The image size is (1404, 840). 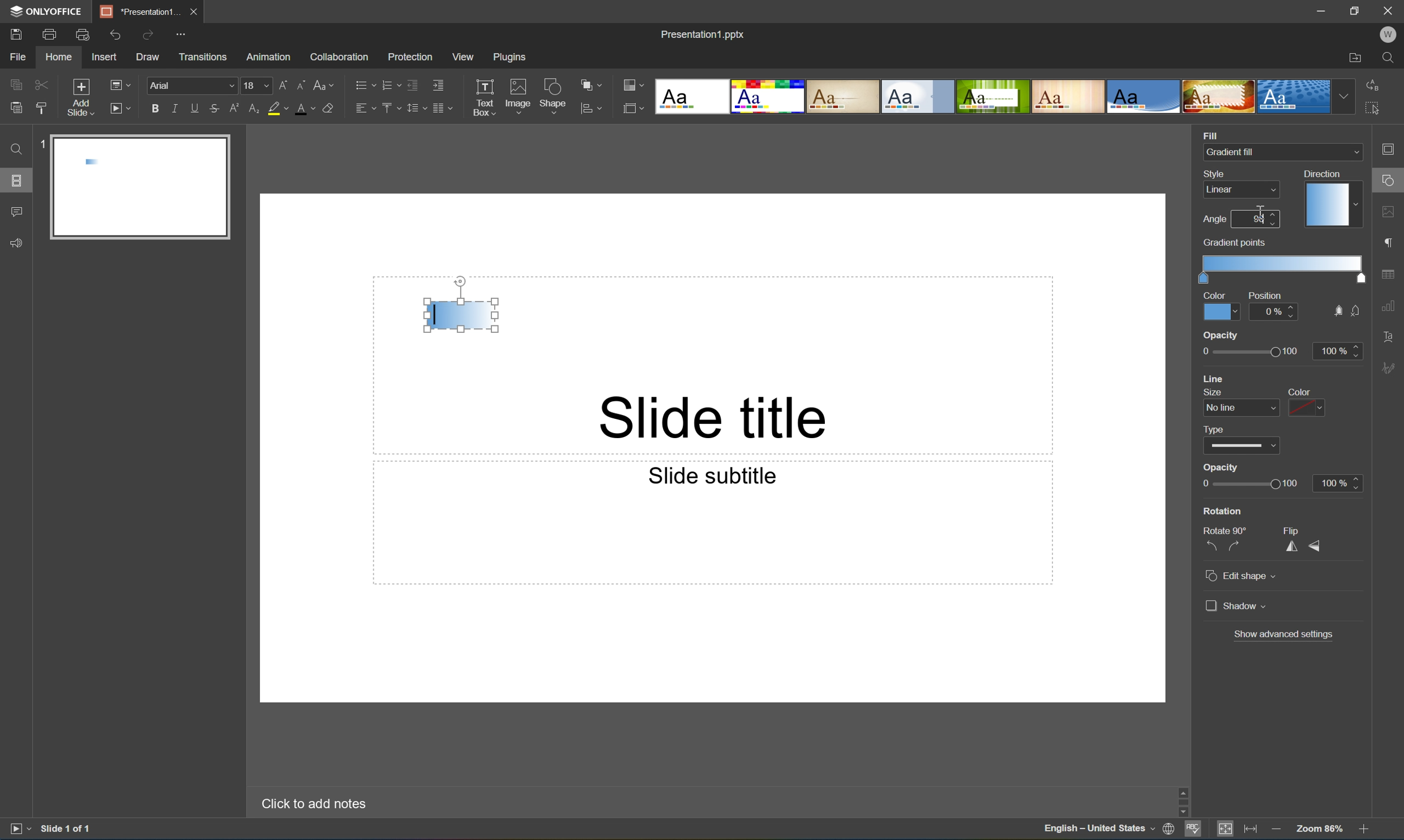 What do you see at coordinates (1099, 830) in the screenshot?
I see `English - United States` at bounding box center [1099, 830].